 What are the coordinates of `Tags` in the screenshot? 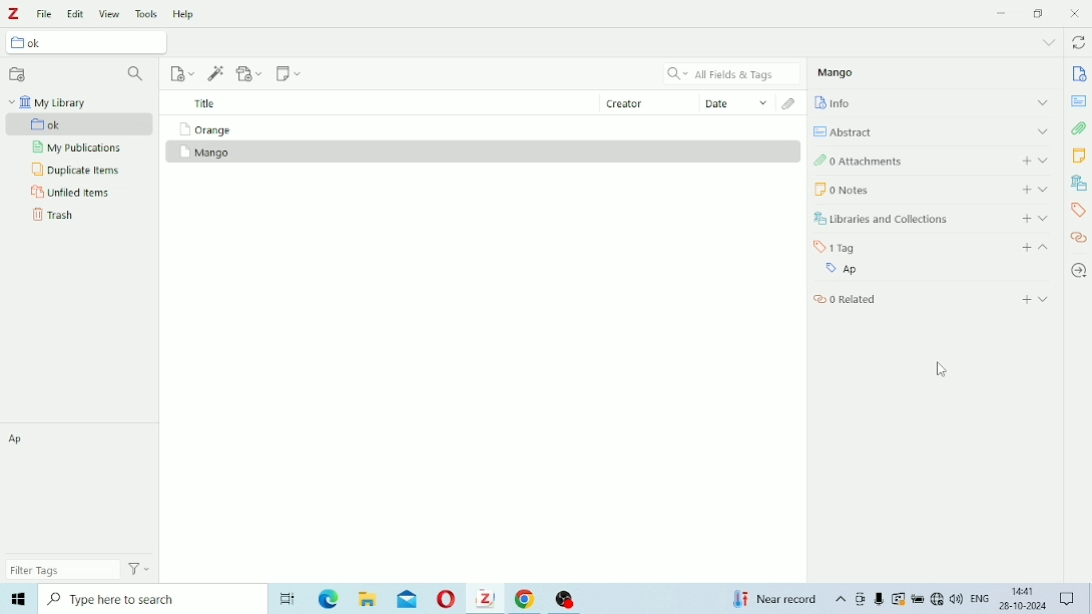 It's located at (1077, 210).